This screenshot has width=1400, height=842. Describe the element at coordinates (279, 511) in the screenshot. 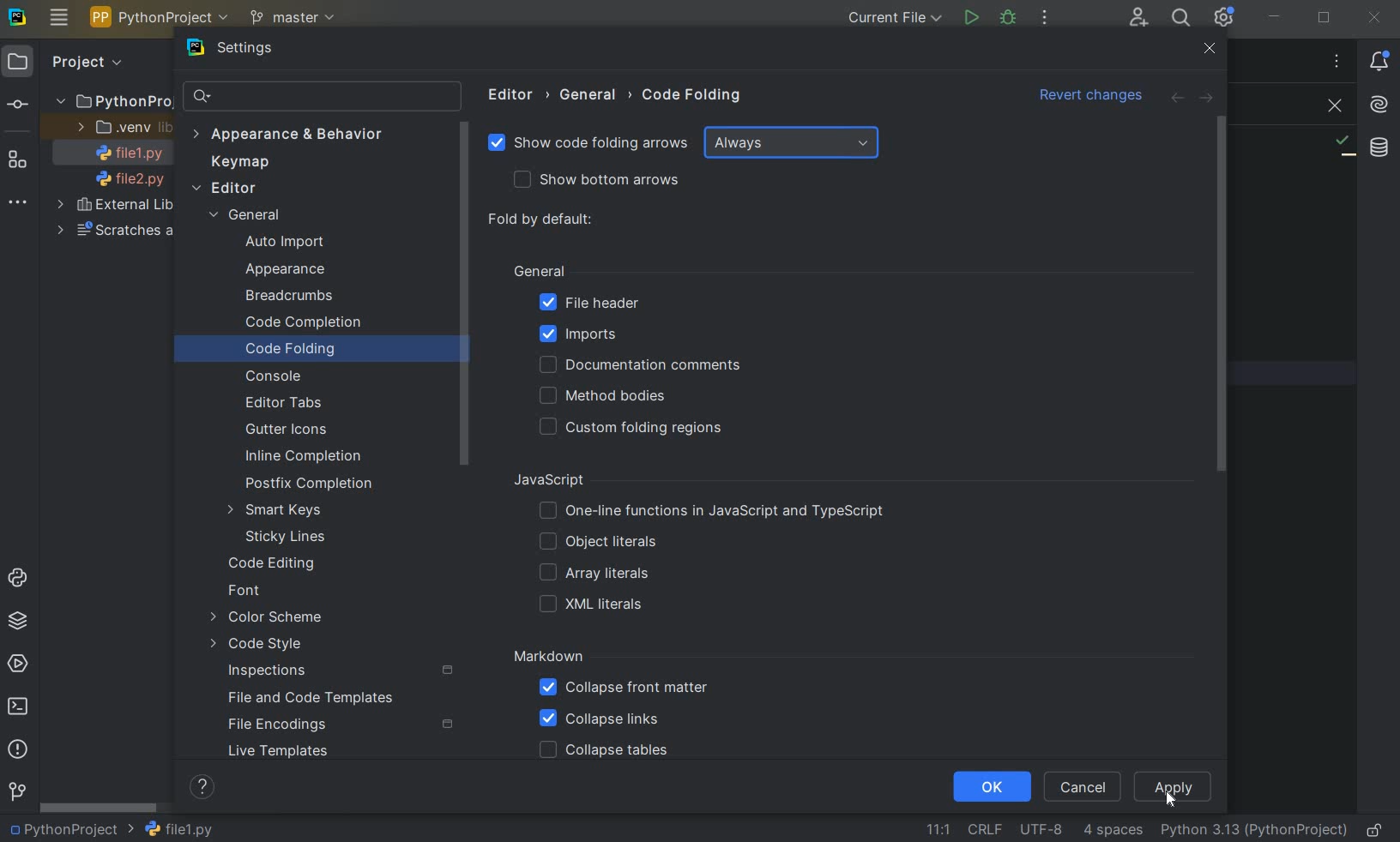

I see `SMART KEYS` at that location.